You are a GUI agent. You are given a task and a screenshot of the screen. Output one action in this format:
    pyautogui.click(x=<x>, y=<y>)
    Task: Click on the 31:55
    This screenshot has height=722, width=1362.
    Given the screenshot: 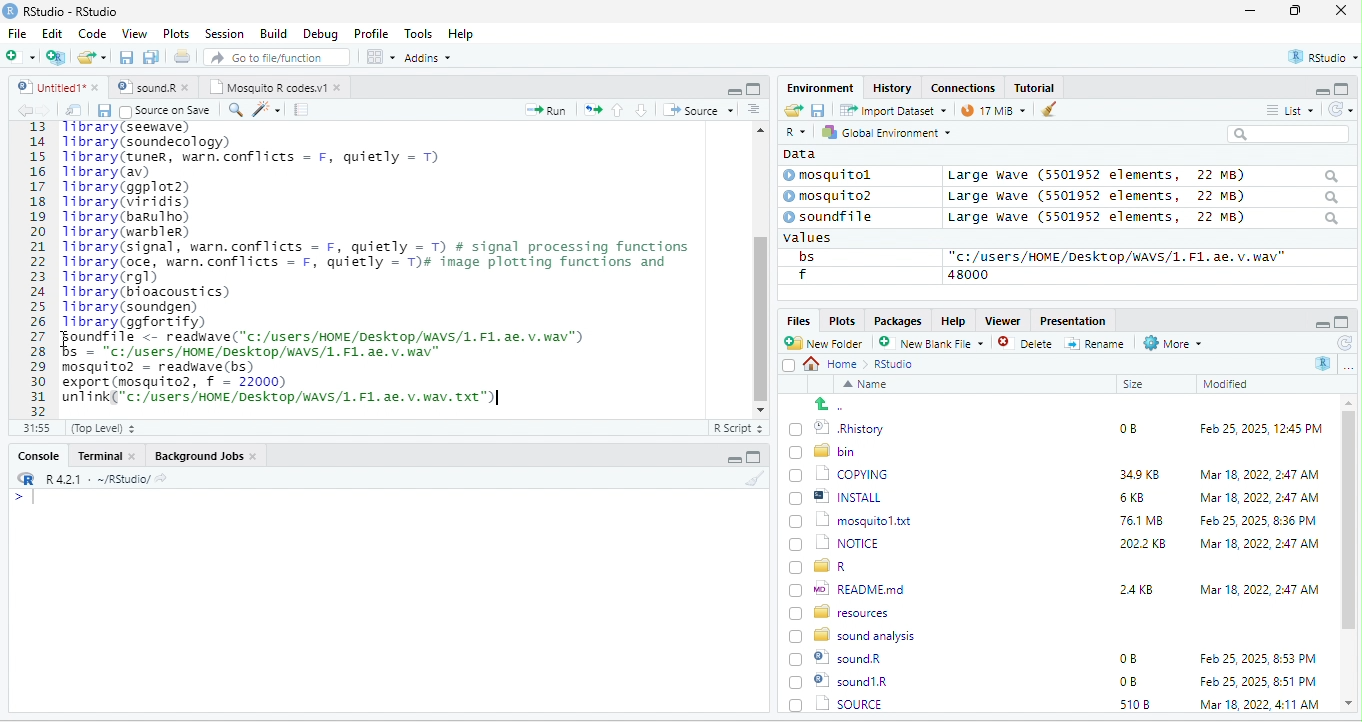 What is the action you would take?
    pyautogui.click(x=34, y=428)
    